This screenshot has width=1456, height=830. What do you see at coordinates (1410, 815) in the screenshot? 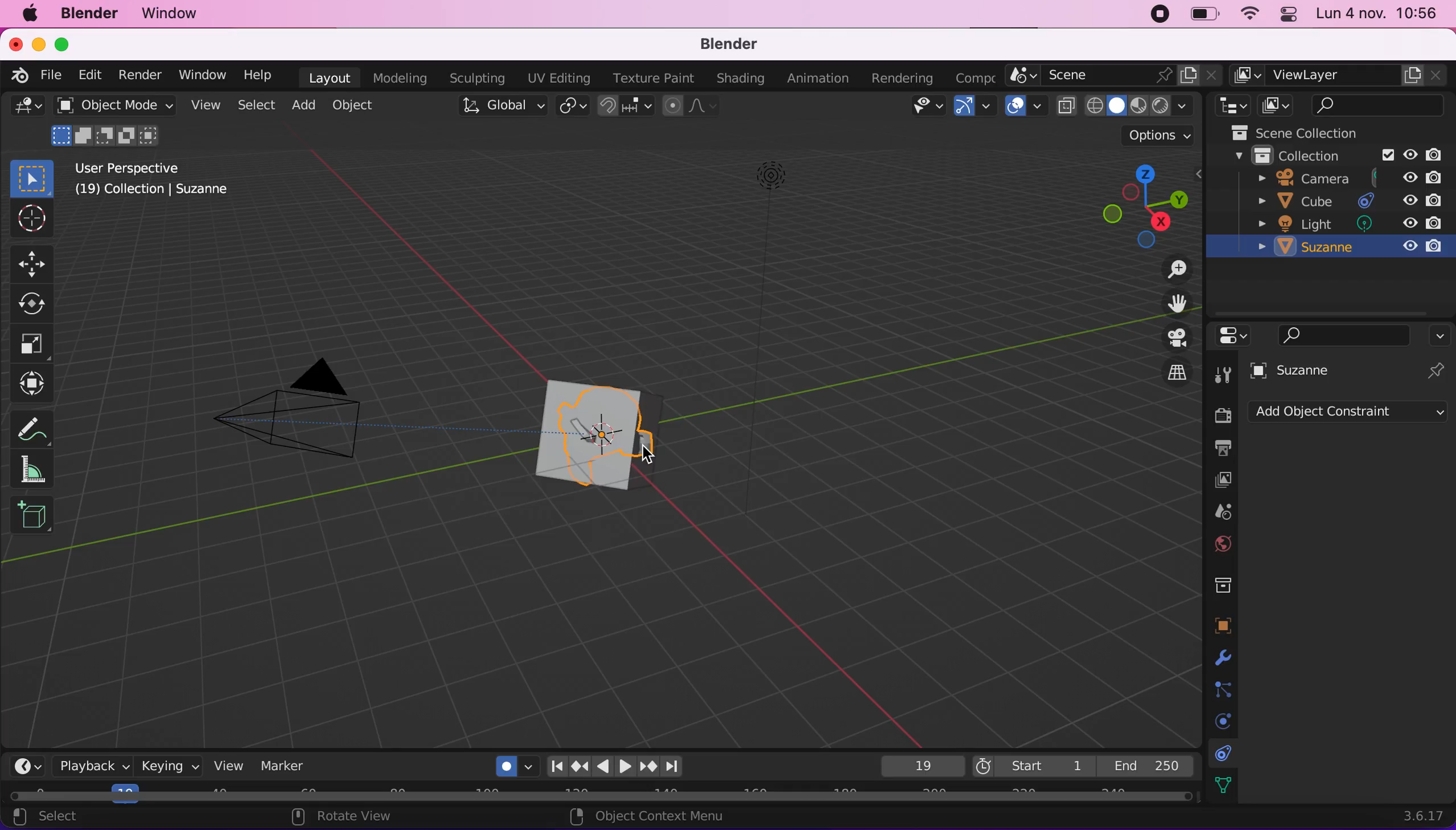
I see `3.6.17` at bounding box center [1410, 815].